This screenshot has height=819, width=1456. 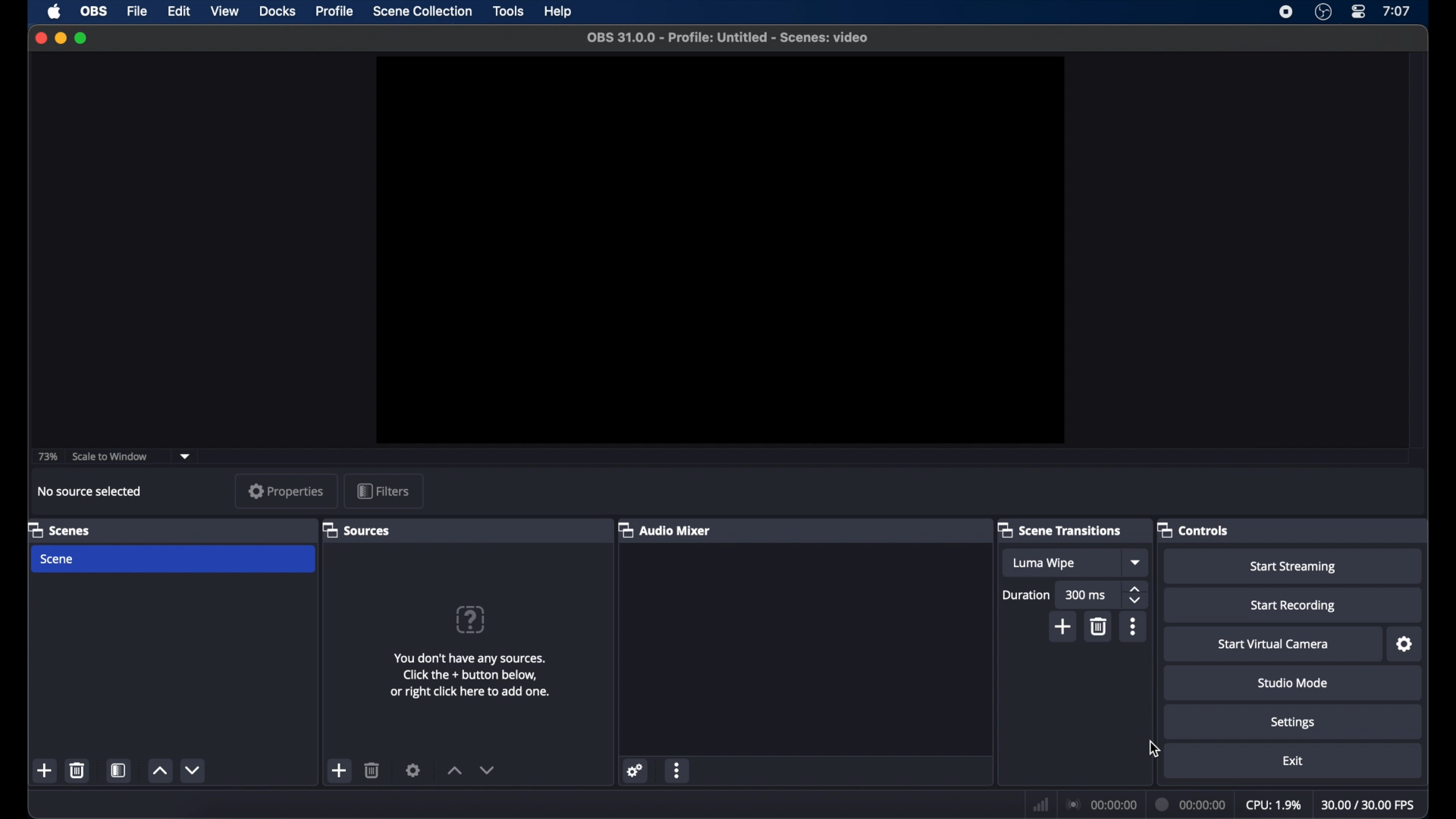 What do you see at coordinates (54, 11) in the screenshot?
I see `apple icon` at bounding box center [54, 11].